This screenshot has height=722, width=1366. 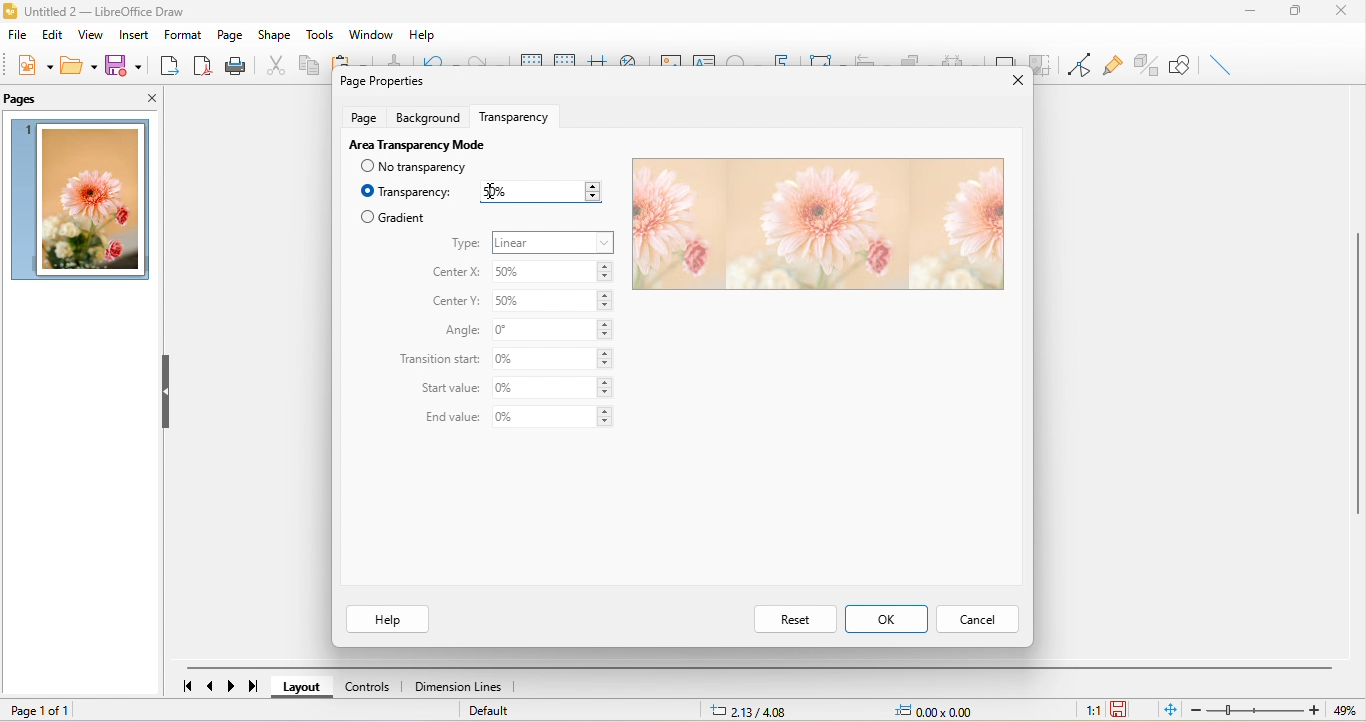 What do you see at coordinates (372, 687) in the screenshot?
I see `controls` at bounding box center [372, 687].